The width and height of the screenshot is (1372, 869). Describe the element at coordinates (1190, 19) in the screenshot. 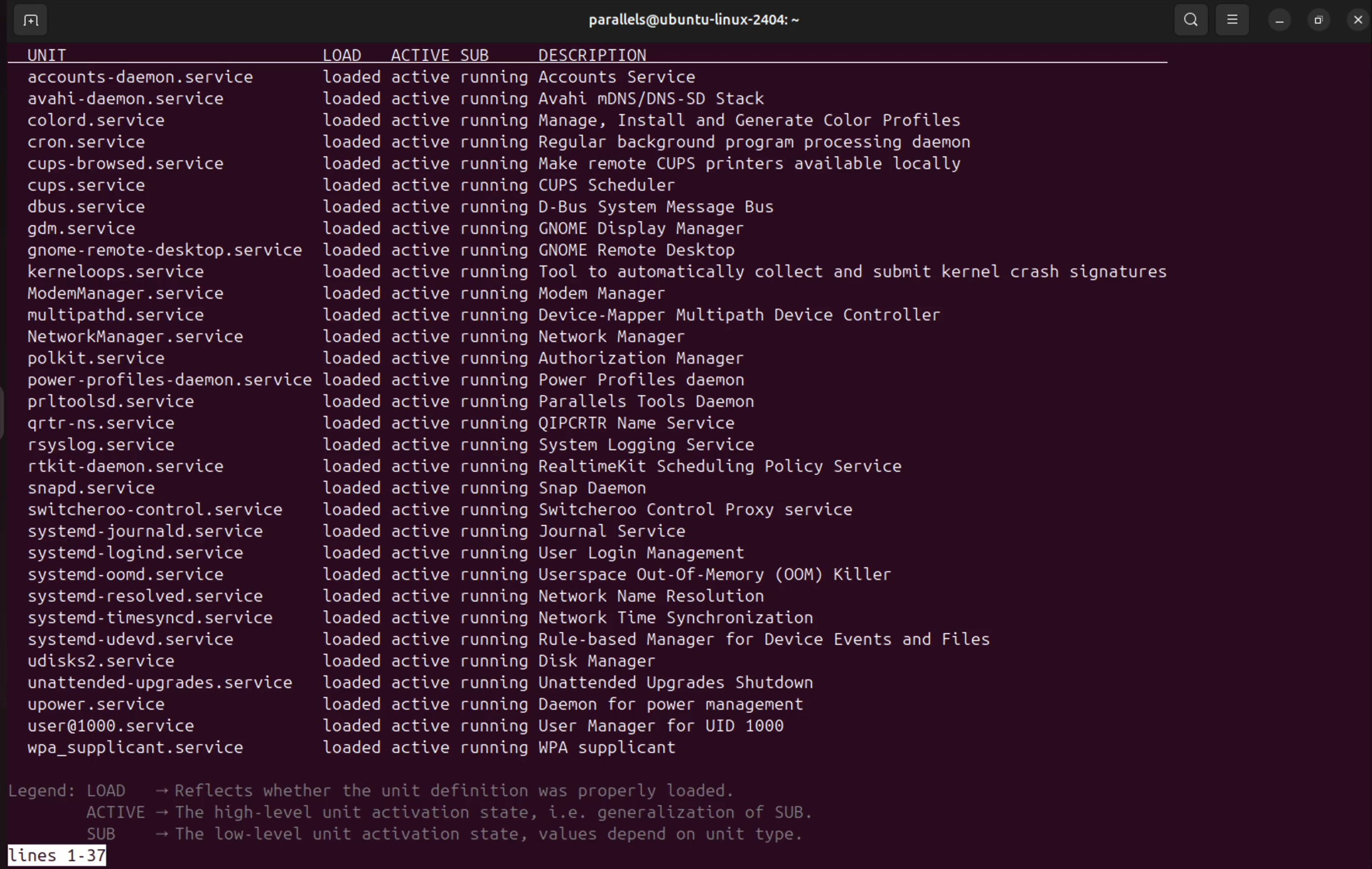

I see `search` at that location.